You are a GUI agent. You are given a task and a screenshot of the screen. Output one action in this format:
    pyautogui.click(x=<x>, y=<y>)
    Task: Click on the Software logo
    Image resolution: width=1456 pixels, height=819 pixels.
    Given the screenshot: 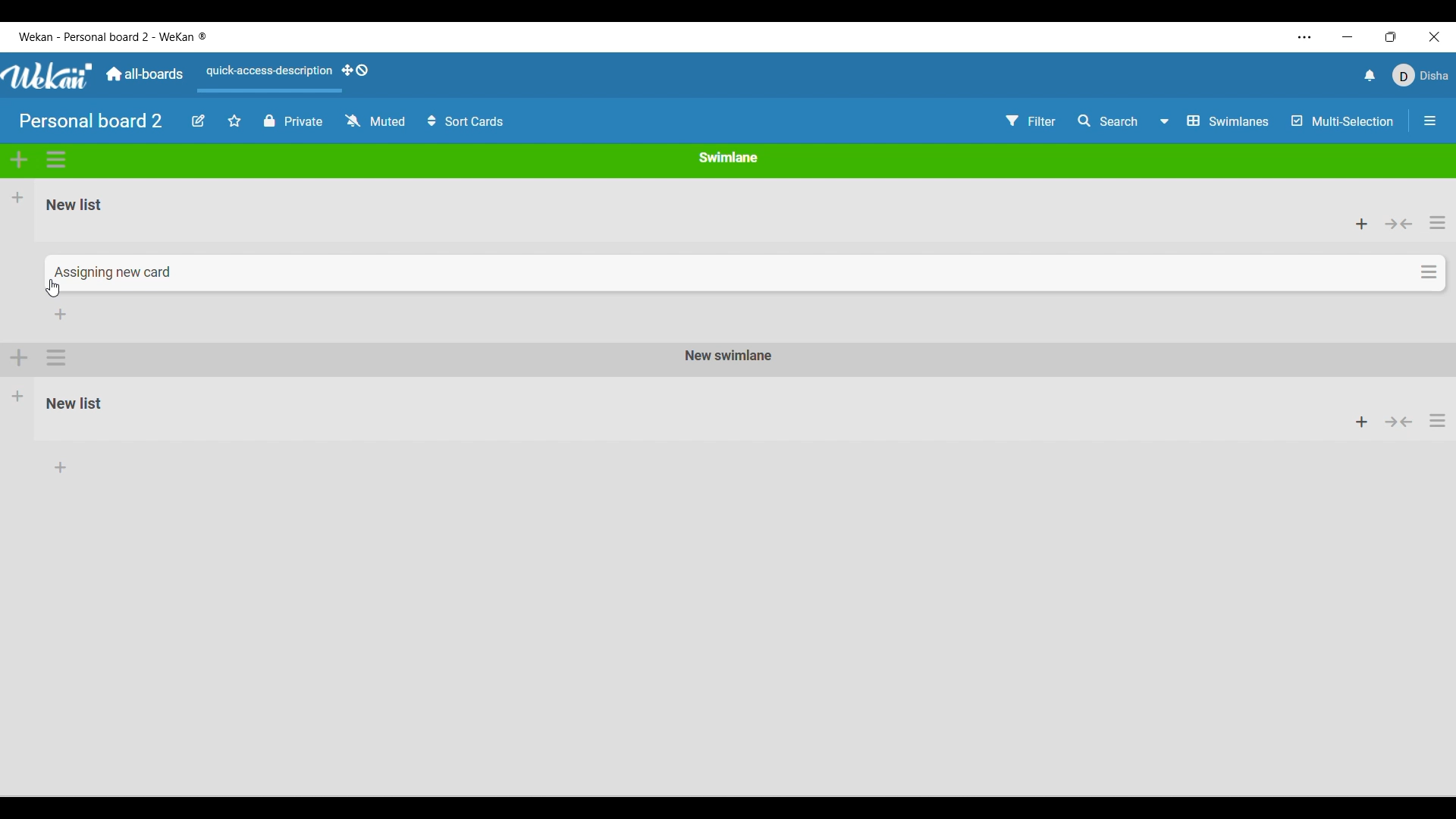 What is the action you would take?
    pyautogui.click(x=49, y=76)
    